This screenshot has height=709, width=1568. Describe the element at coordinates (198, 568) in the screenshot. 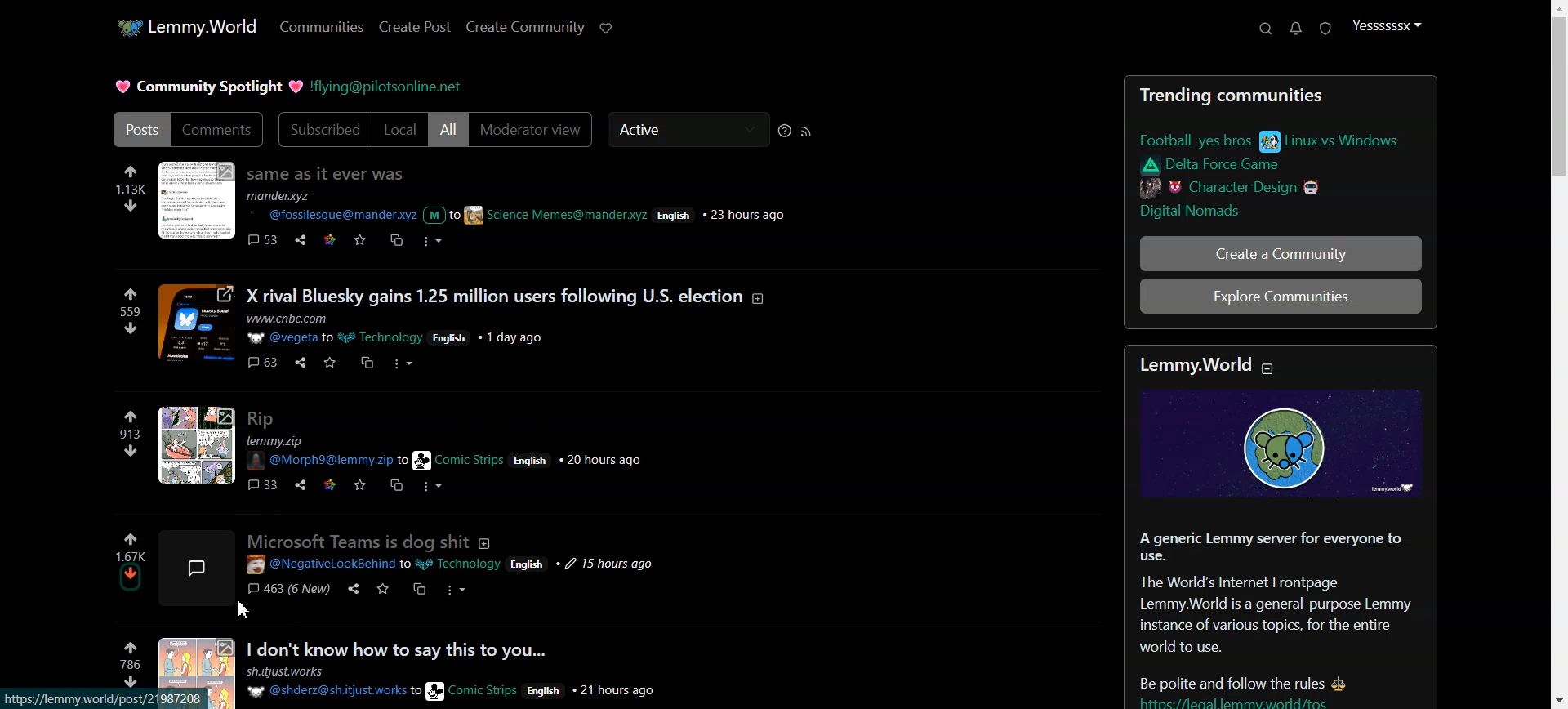

I see `Profile` at that location.